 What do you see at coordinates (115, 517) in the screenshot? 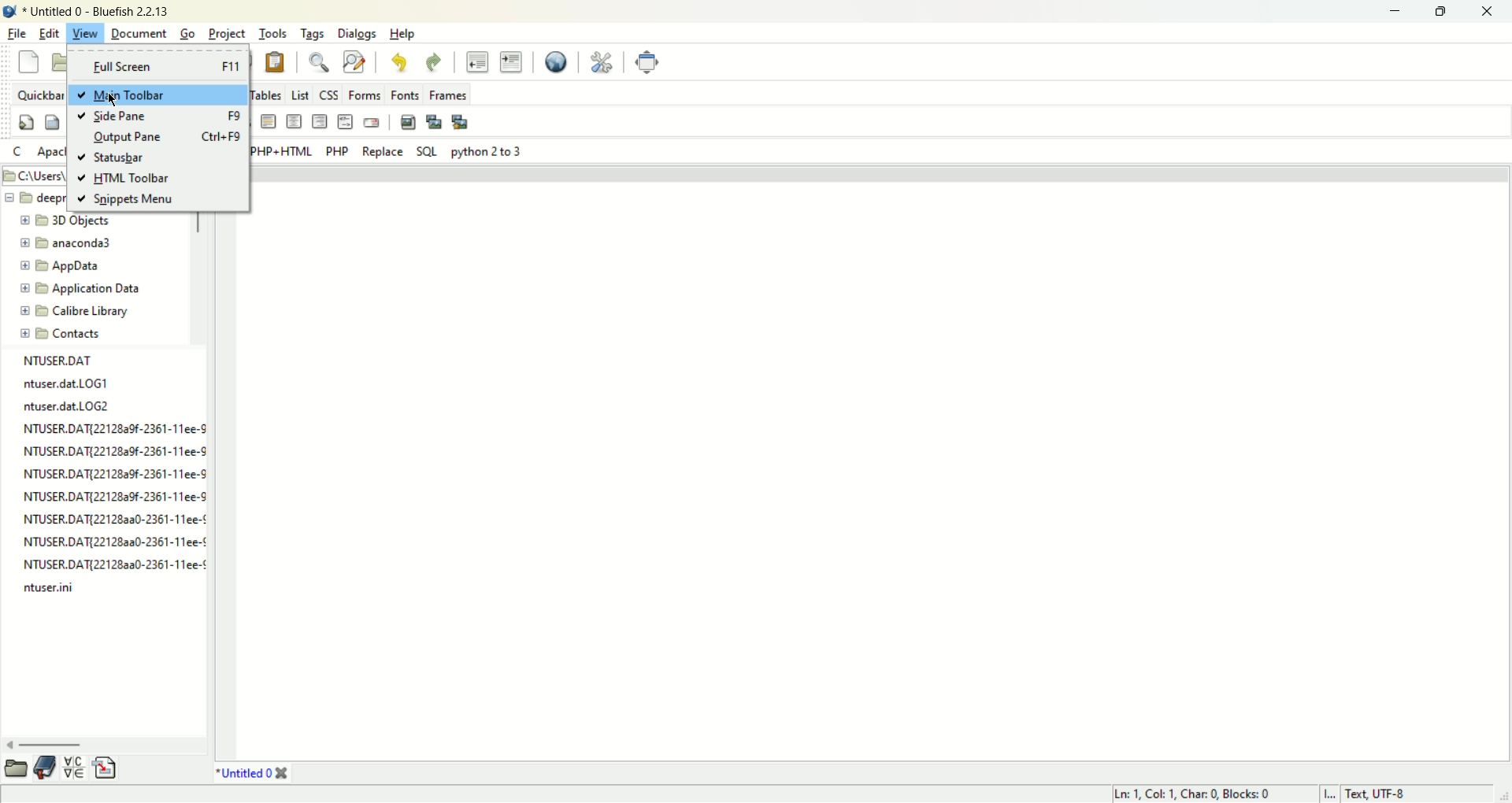
I see `NTUSER.DAT{22128aa0-2361-11ee-¢` at bounding box center [115, 517].